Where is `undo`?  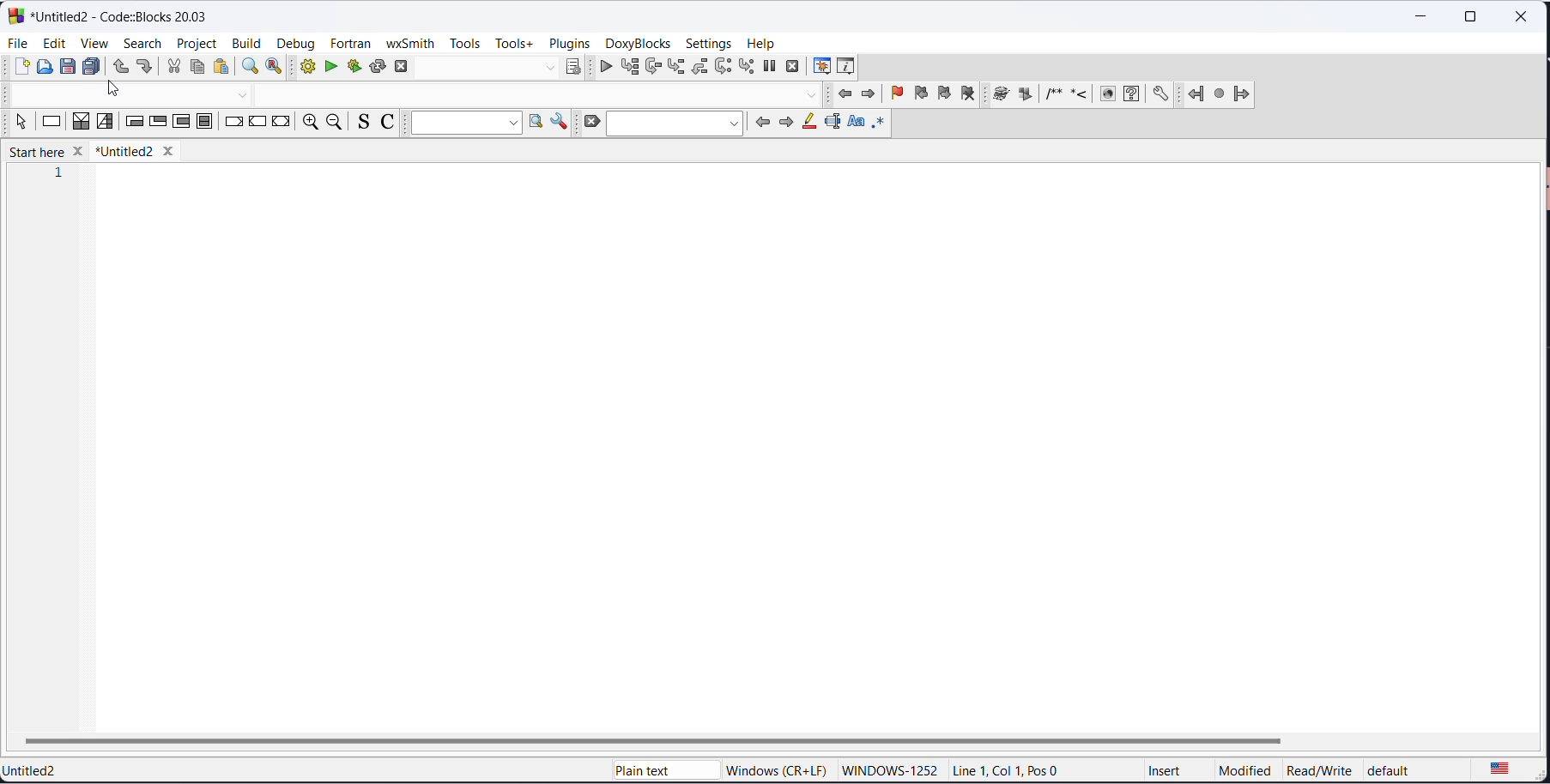 undo is located at coordinates (117, 68).